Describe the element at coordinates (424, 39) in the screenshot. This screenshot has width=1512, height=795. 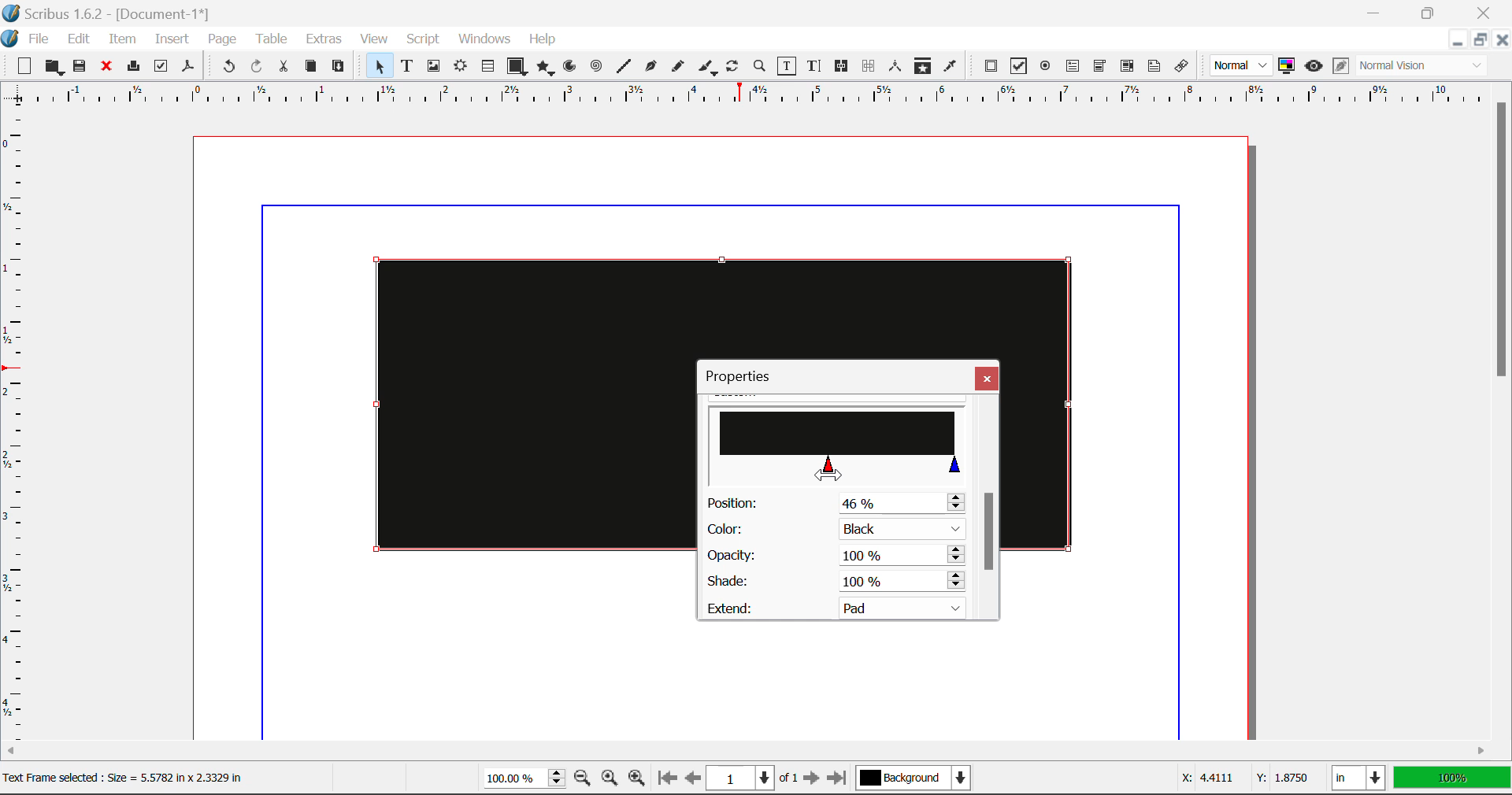
I see `Script` at that location.